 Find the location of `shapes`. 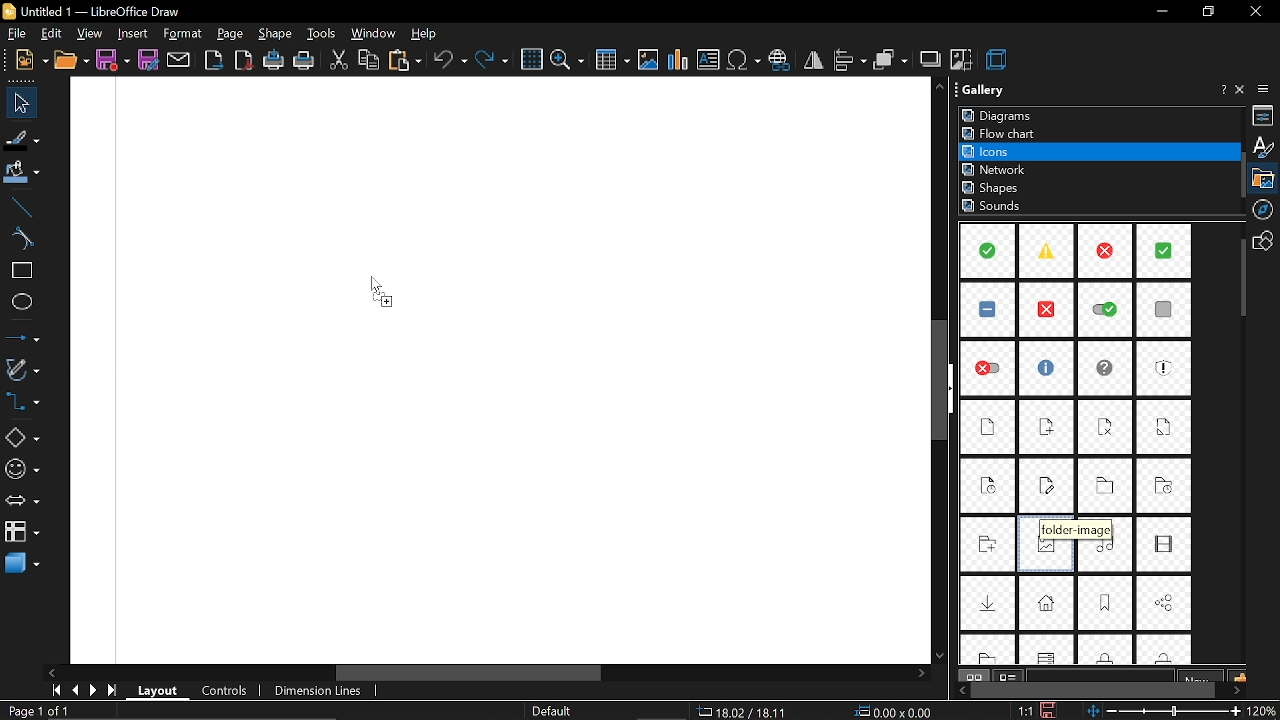

shapes is located at coordinates (1266, 240).